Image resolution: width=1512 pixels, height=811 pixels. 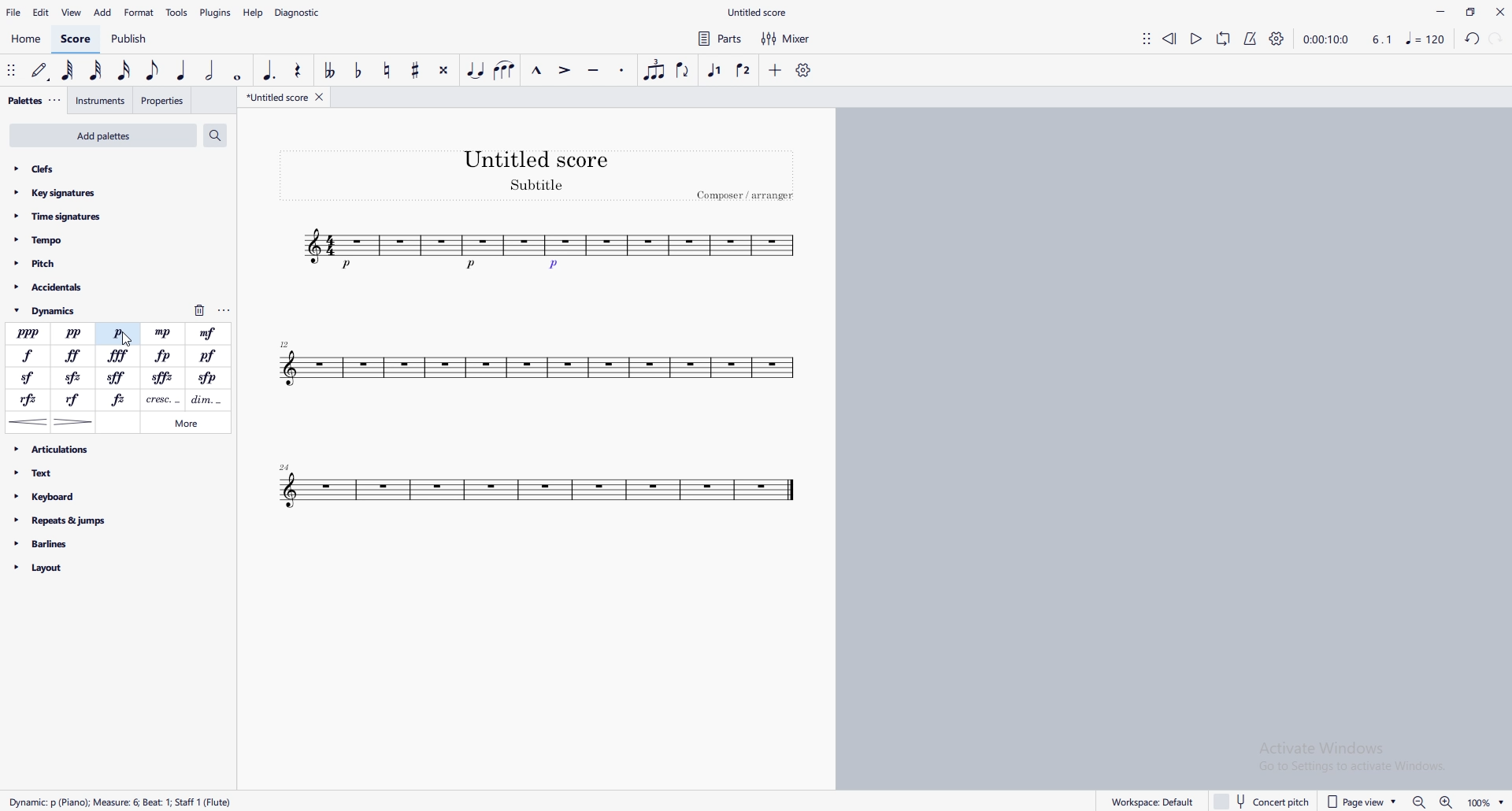 I want to click on playback settings, so click(x=1277, y=38).